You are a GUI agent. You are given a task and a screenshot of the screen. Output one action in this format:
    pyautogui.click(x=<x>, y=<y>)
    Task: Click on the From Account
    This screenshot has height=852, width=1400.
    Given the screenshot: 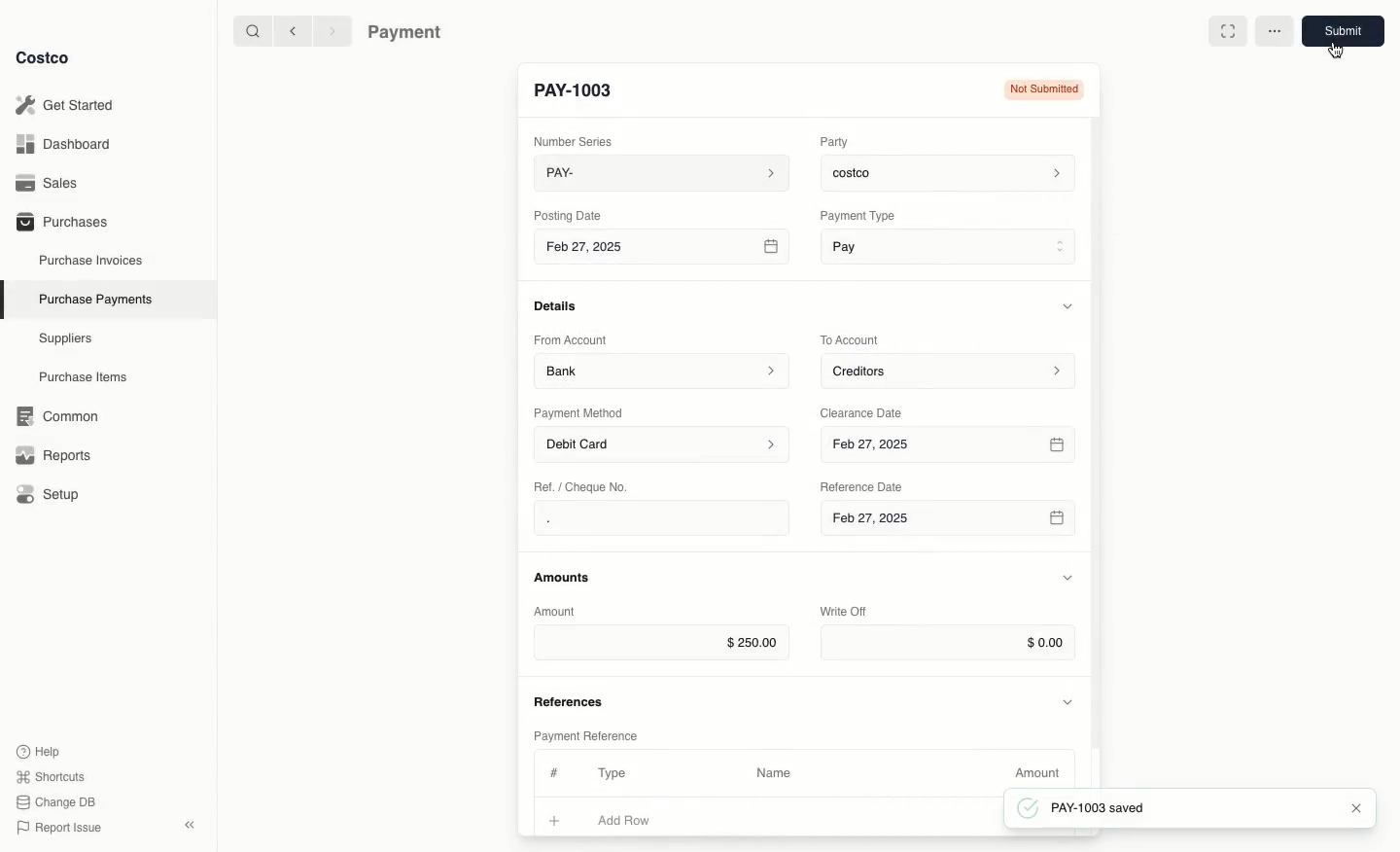 What is the action you would take?
    pyautogui.click(x=571, y=339)
    